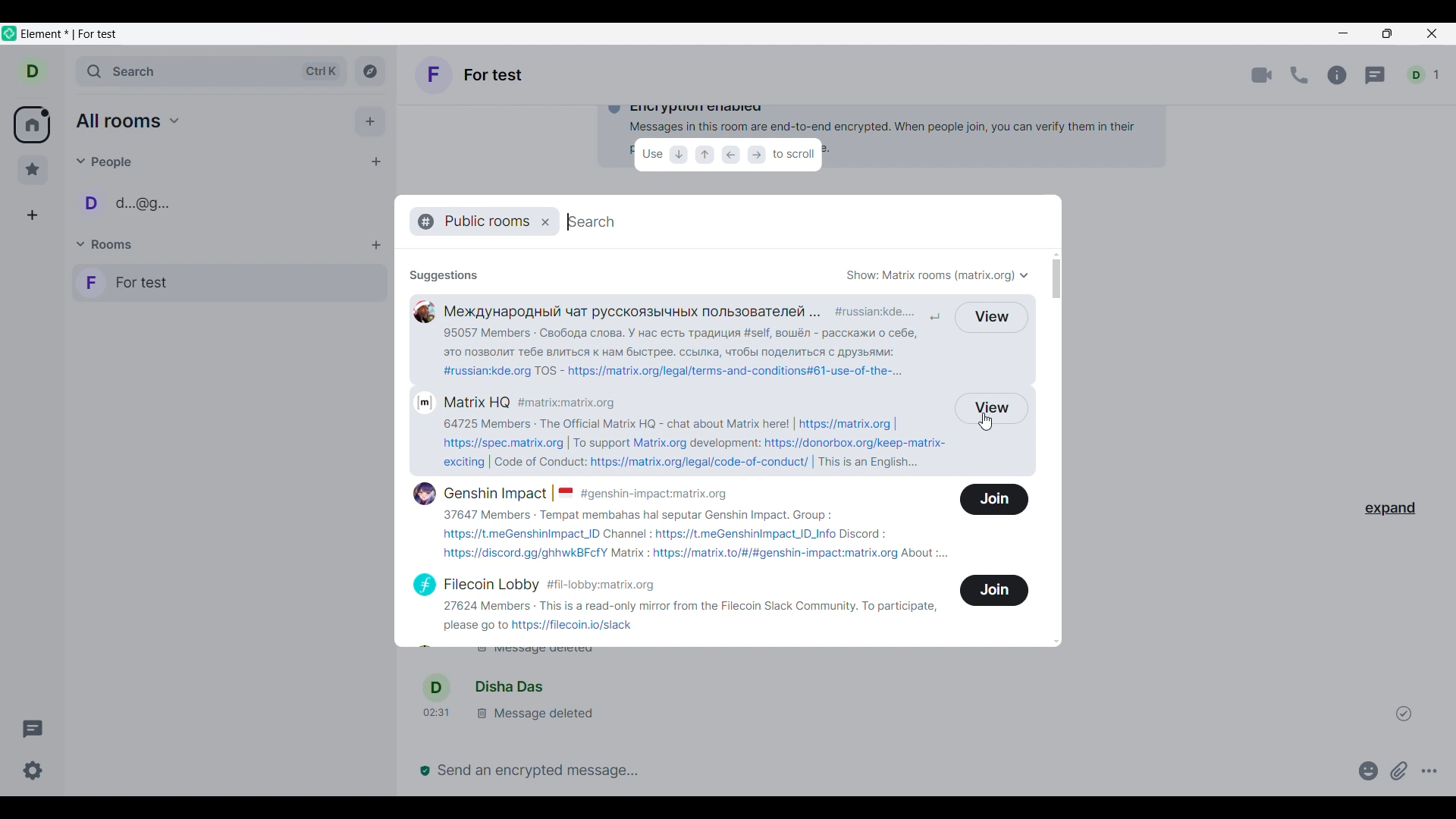 This screenshot has height=819, width=1456. Describe the element at coordinates (1404, 713) in the screenshot. I see `Indicates message sent` at that location.